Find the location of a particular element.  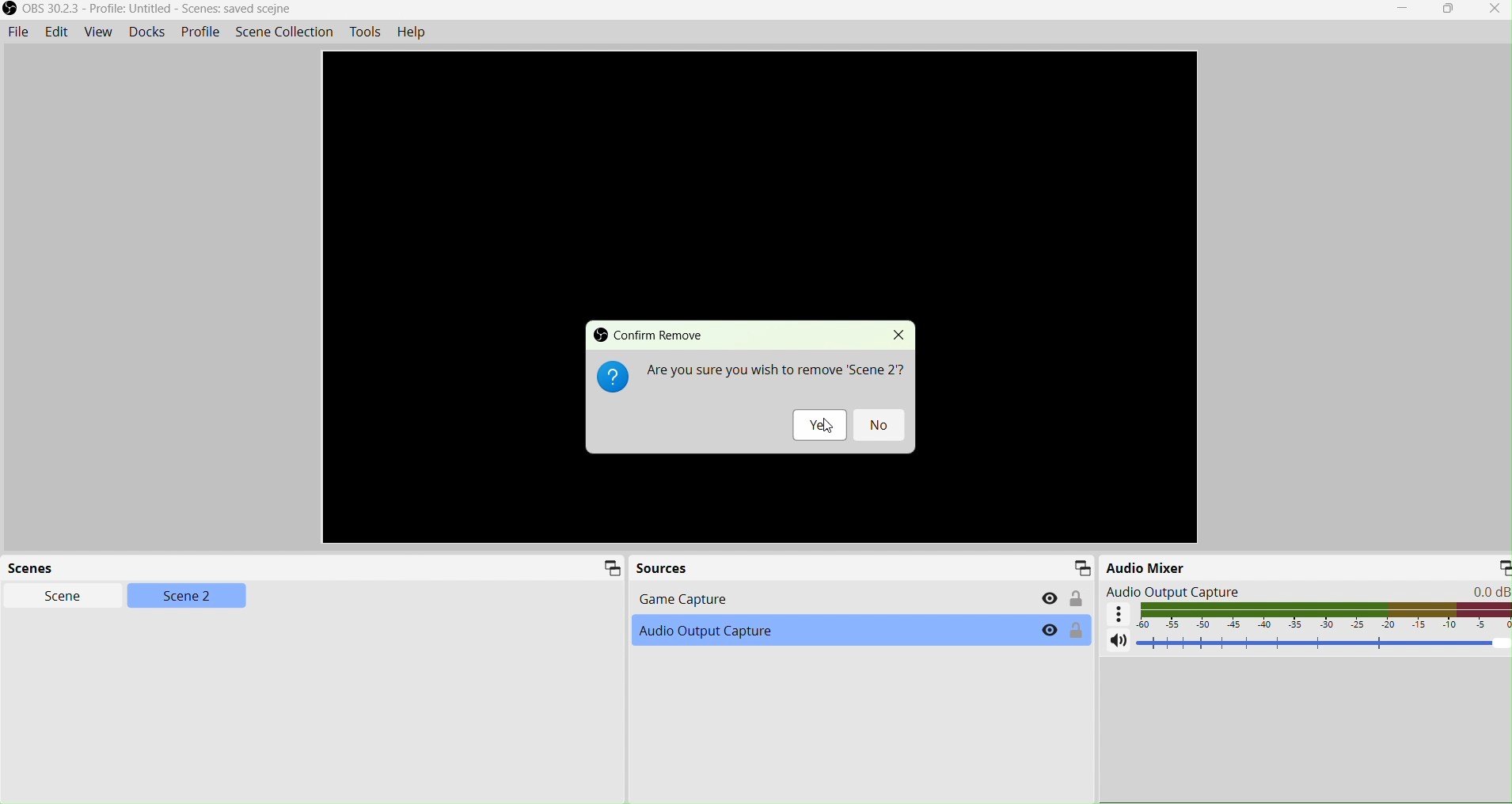

Scene Collection is located at coordinates (281, 29).